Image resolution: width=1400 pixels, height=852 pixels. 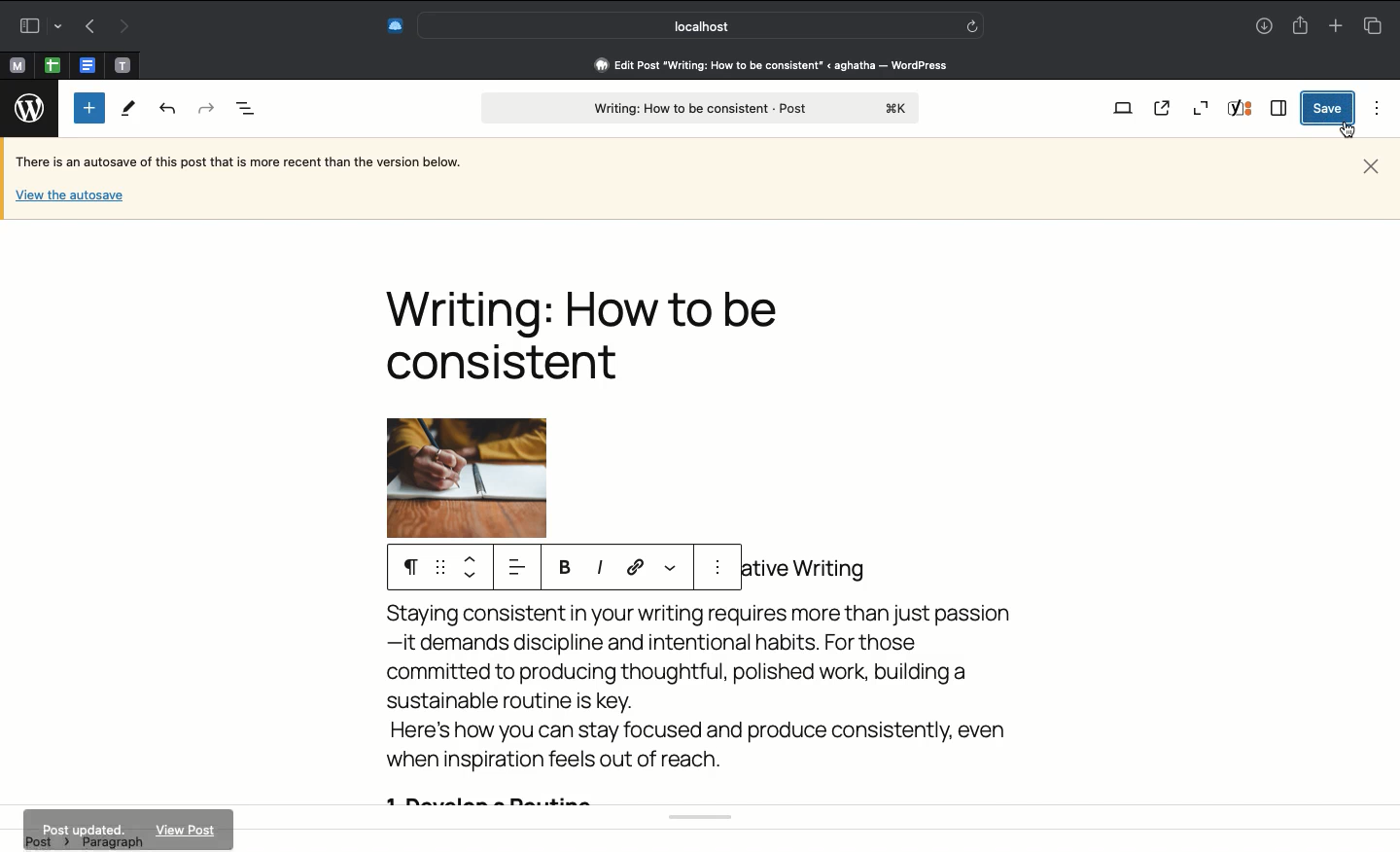 What do you see at coordinates (1201, 108) in the screenshot?
I see `Zoom out` at bounding box center [1201, 108].